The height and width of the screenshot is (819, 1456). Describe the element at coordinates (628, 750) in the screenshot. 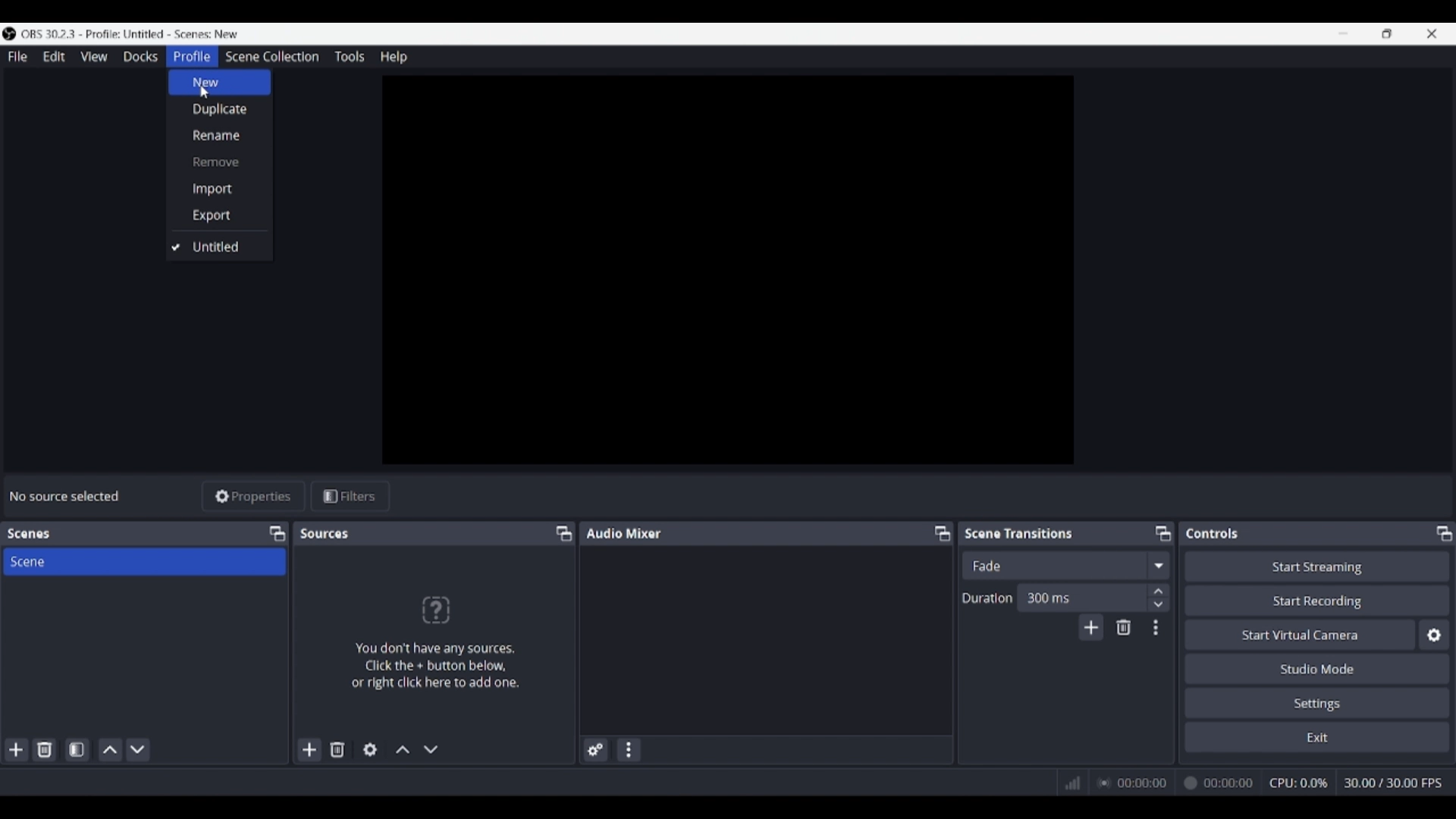

I see `Audio mixer menu` at that location.